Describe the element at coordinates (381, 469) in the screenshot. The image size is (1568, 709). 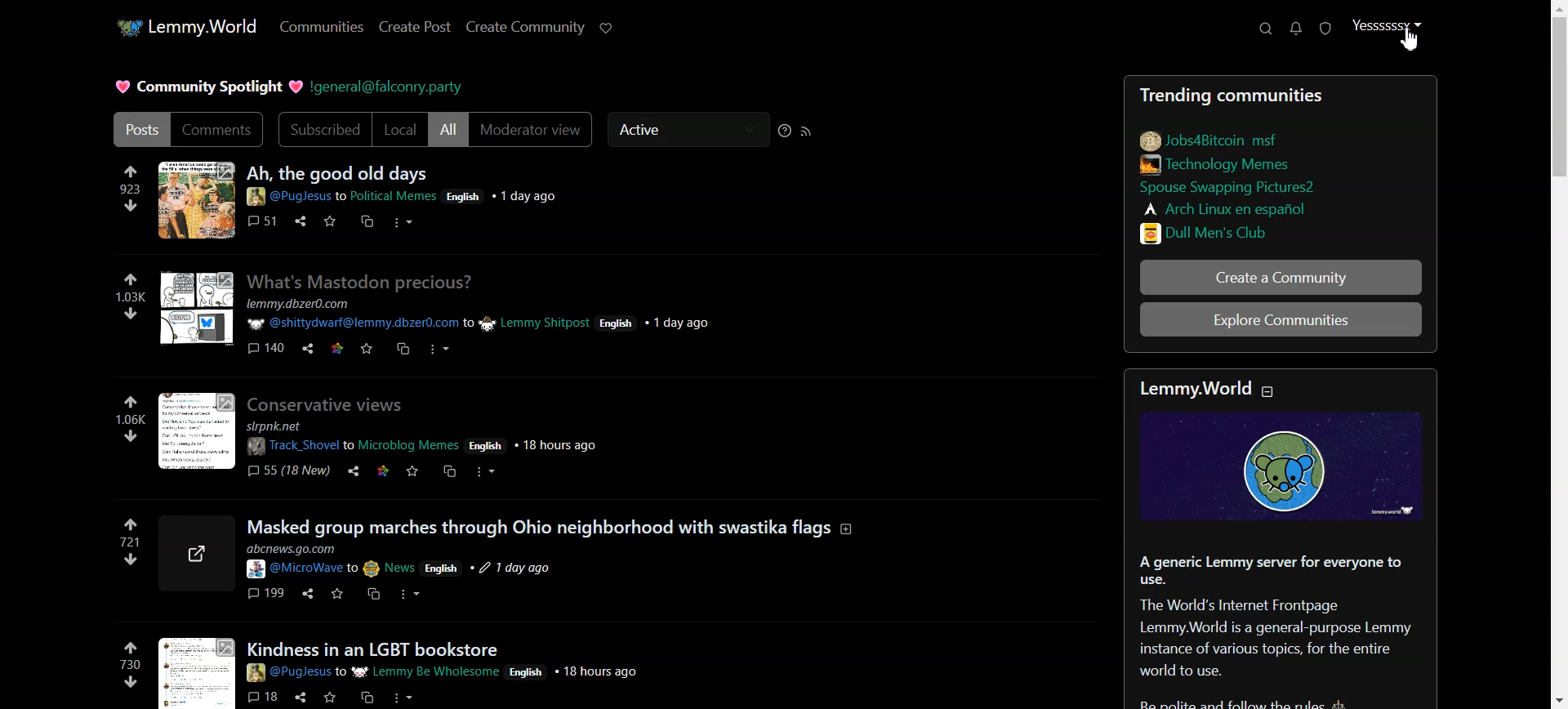
I see `link` at that location.